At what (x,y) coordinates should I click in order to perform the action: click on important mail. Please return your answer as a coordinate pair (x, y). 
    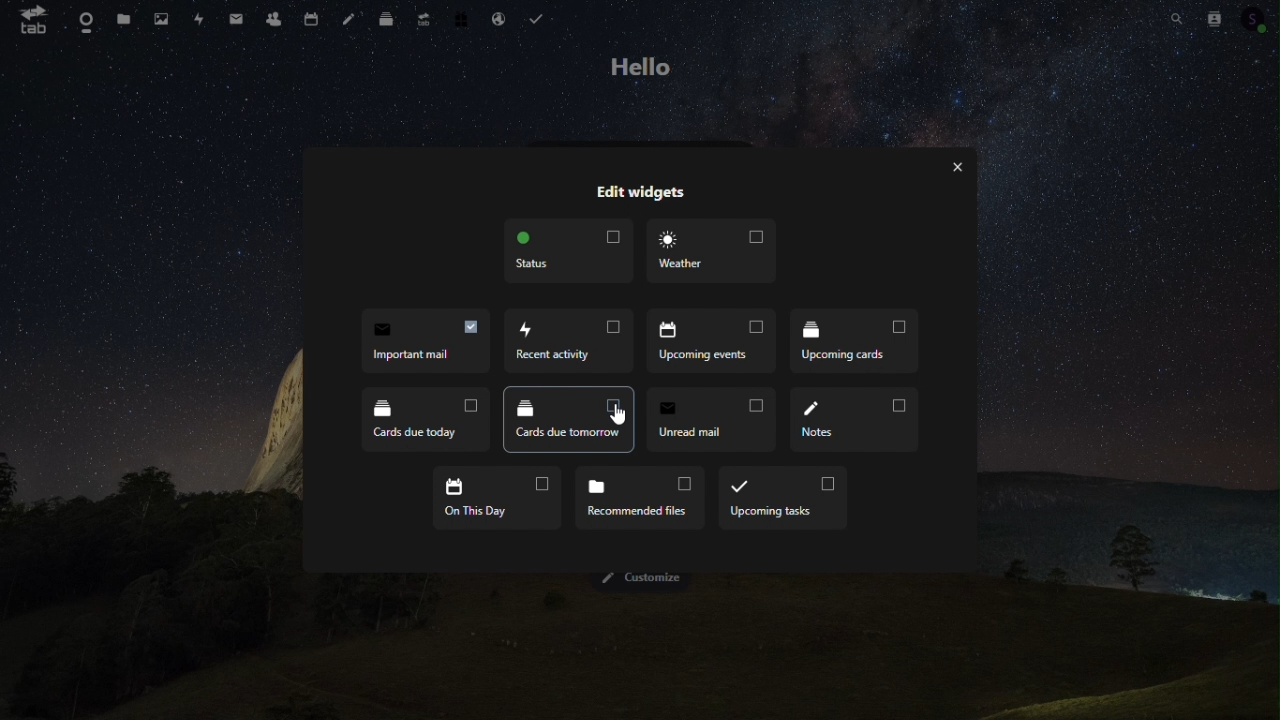
    Looking at the image, I should click on (421, 344).